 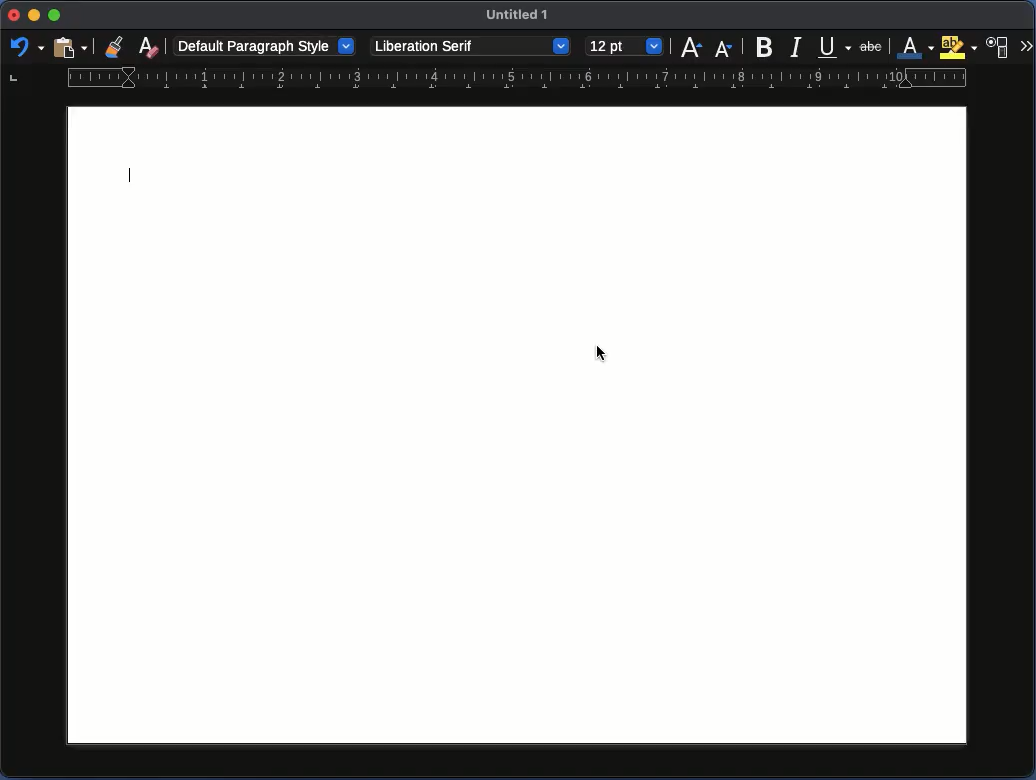 I want to click on Ruler, so click(x=488, y=80).